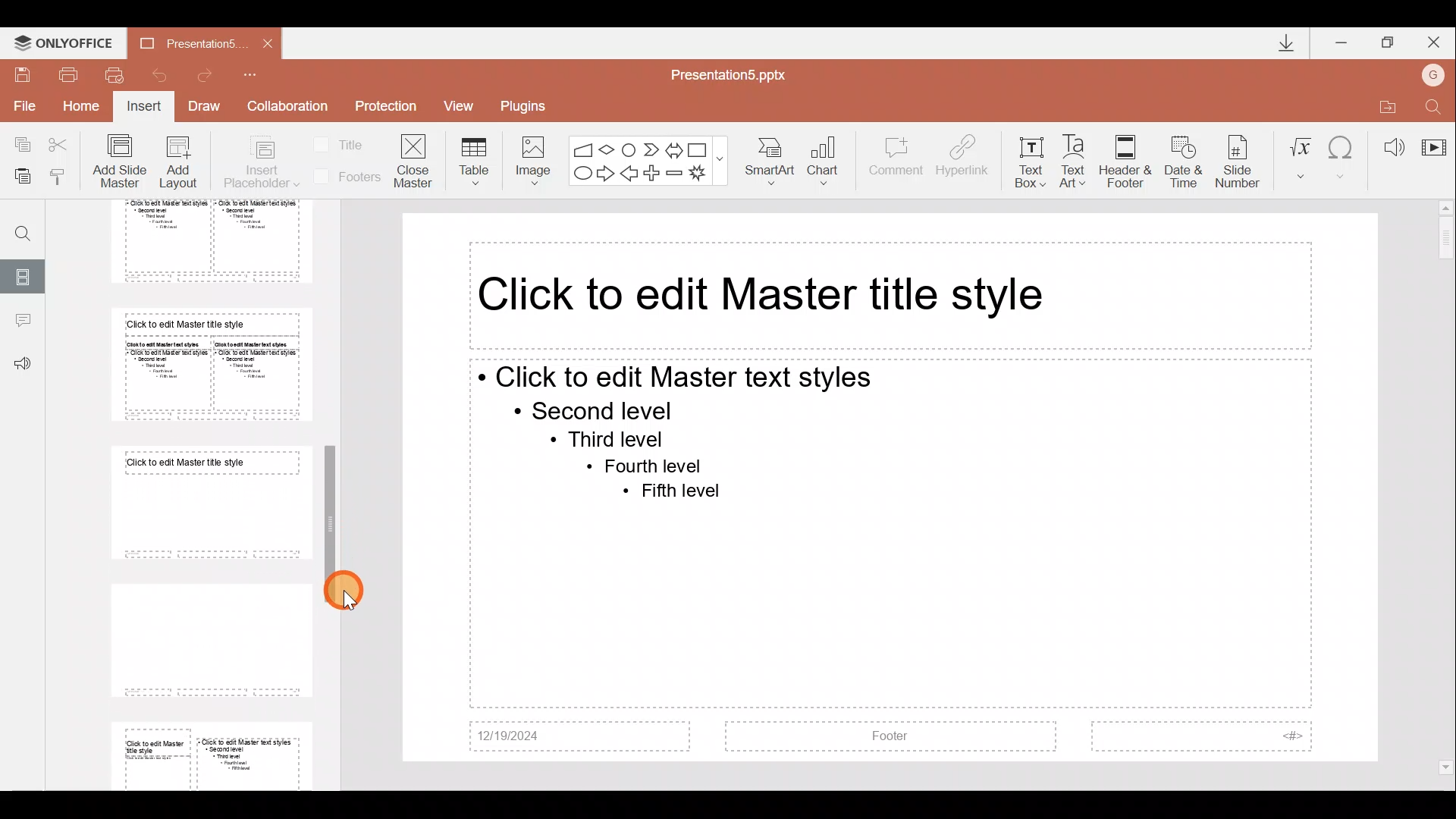  I want to click on Slide 6, so click(206, 366).